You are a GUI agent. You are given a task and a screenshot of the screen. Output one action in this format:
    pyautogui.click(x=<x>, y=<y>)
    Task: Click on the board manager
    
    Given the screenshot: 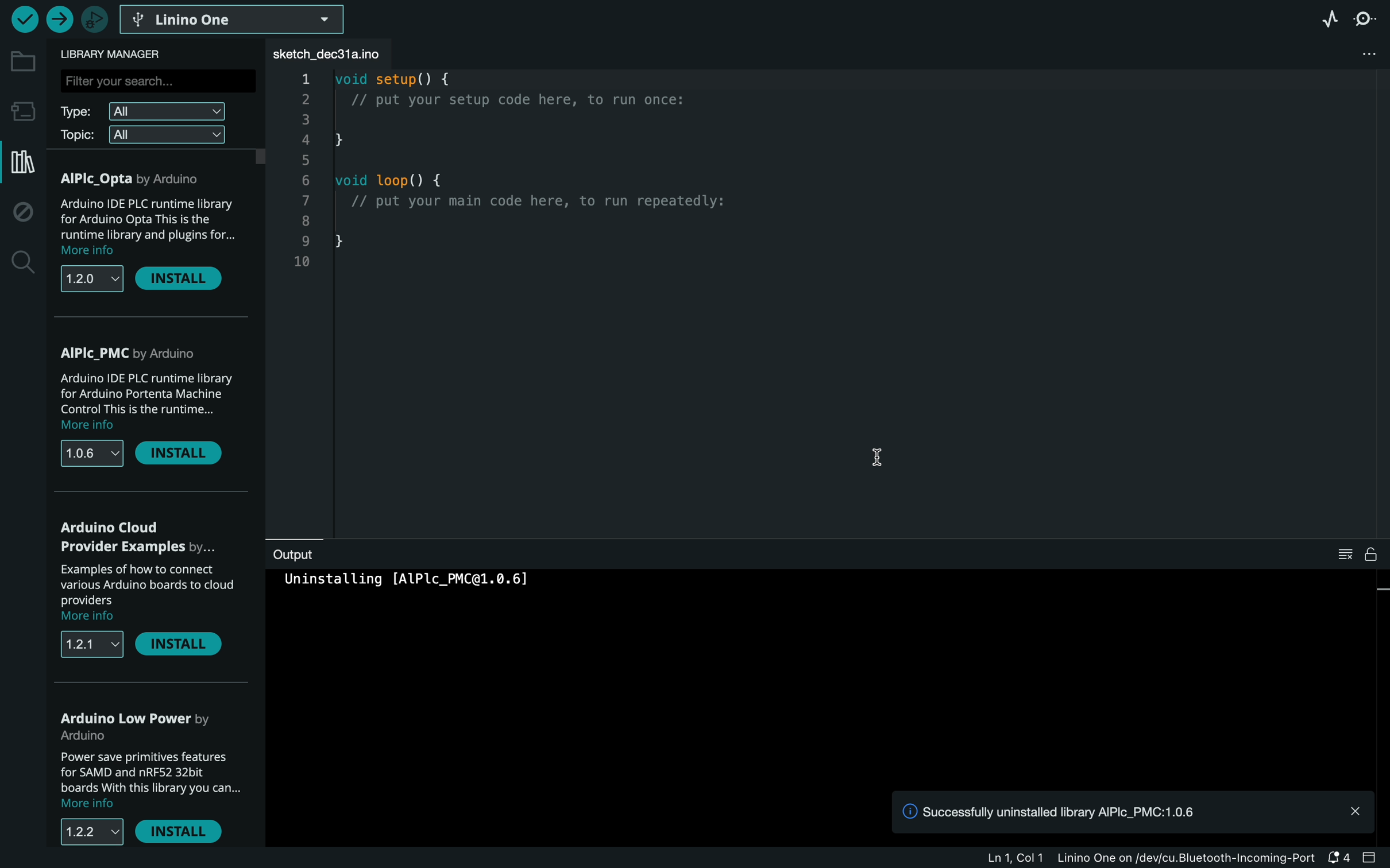 What is the action you would take?
    pyautogui.click(x=21, y=110)
    